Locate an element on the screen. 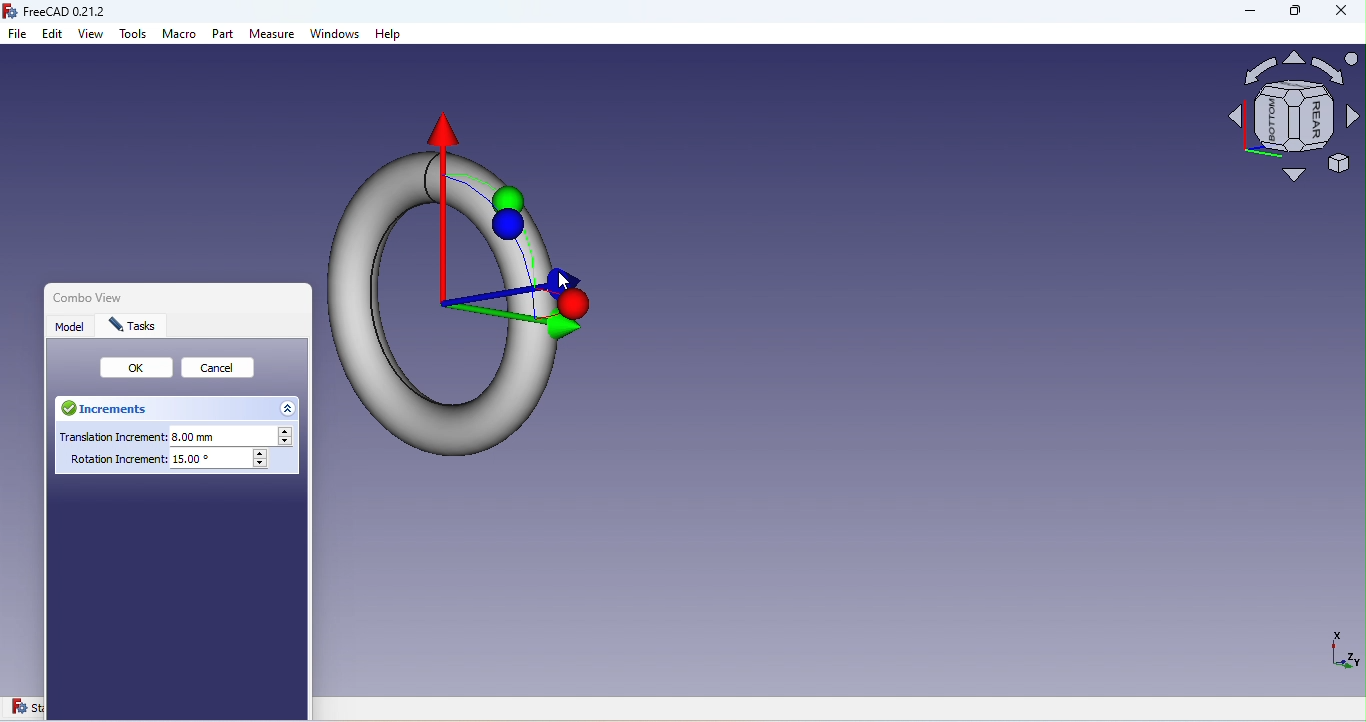  Increase translation increment is located at coordinates (288, 432).